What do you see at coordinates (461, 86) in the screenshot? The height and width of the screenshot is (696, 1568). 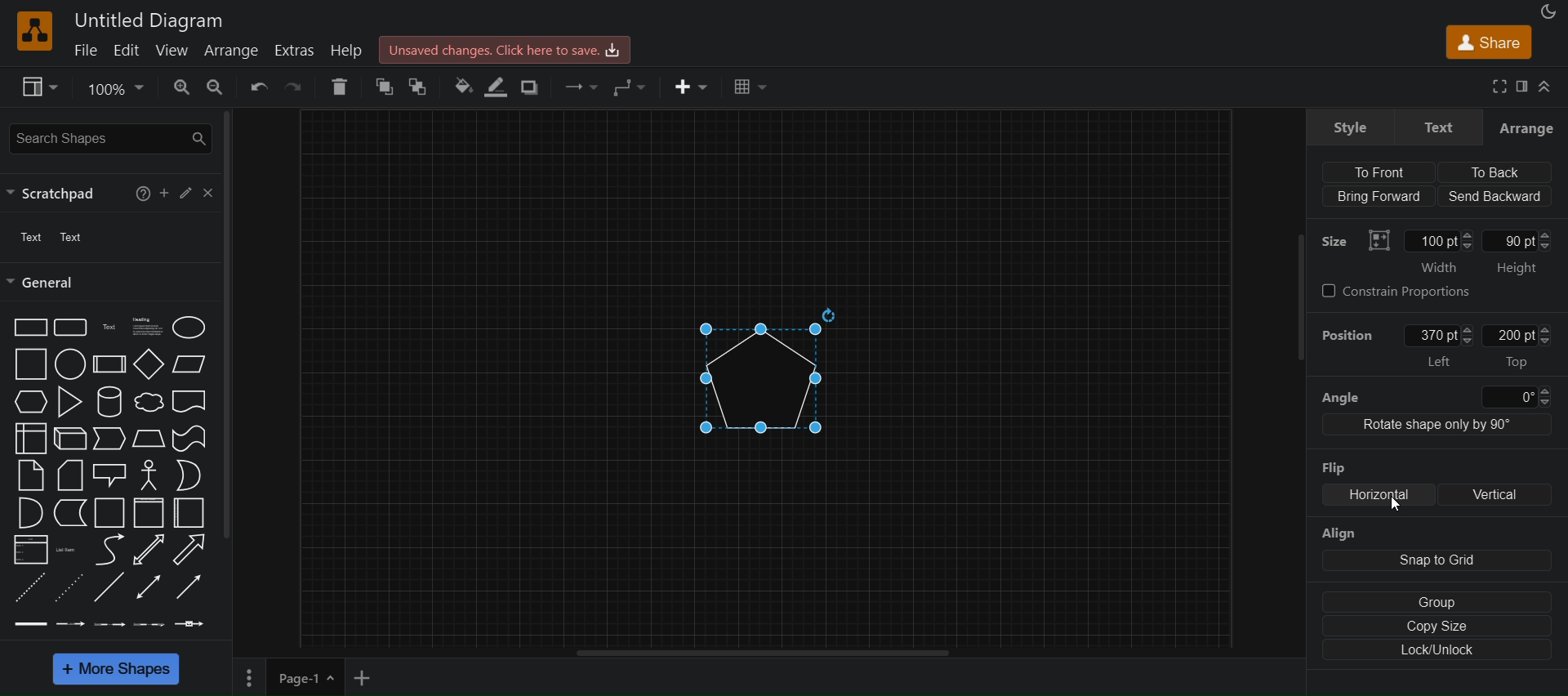 I see `fill color` at bounding box center [461, 86].